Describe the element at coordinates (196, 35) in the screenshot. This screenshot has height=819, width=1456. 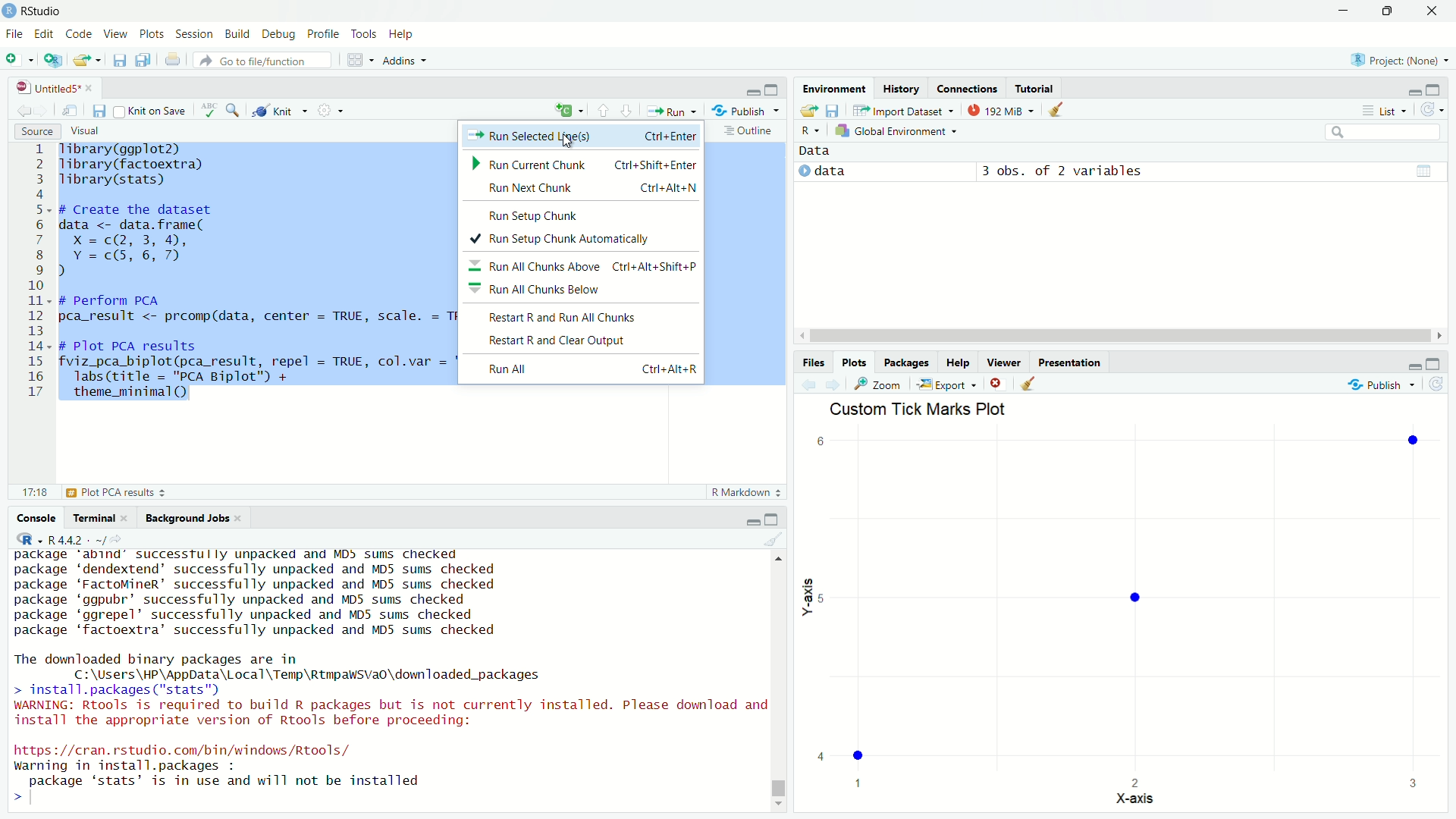
I see `Session` at that location.